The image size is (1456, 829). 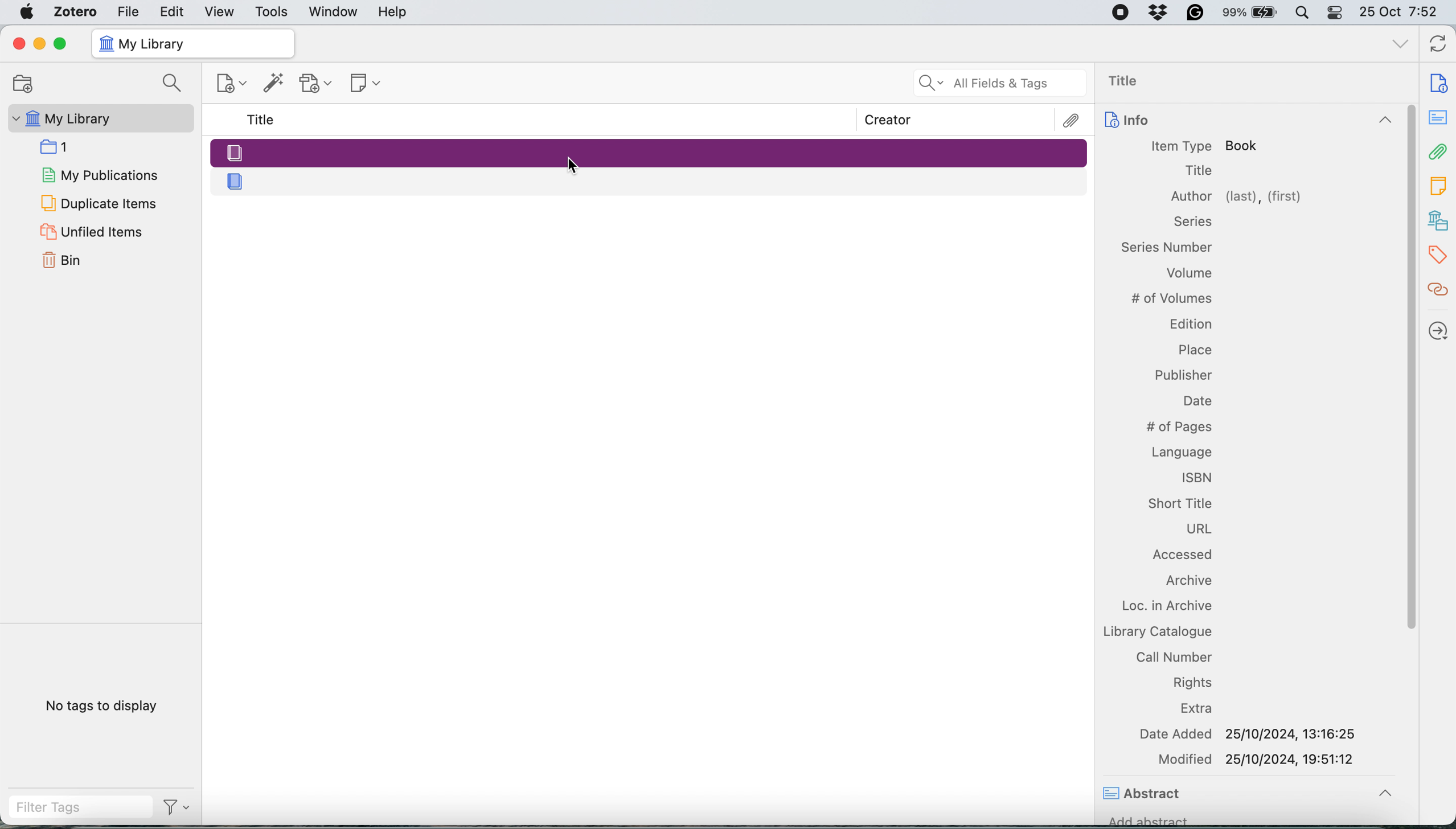 I want to click on Locate, so click(x=1439, y=331).